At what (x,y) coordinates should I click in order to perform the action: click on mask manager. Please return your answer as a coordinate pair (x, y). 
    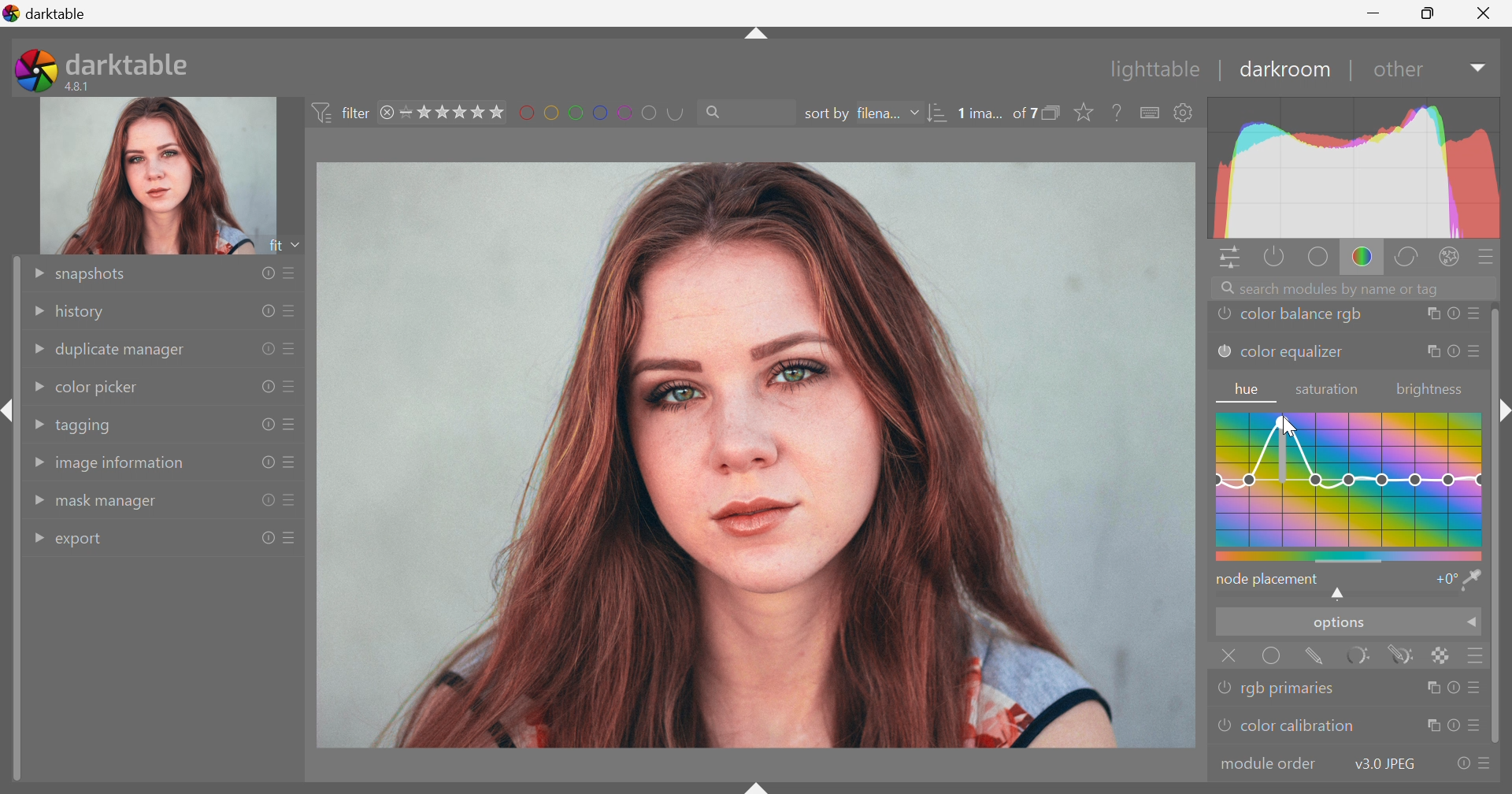
    Looking at the image, I should click on (109, 504).